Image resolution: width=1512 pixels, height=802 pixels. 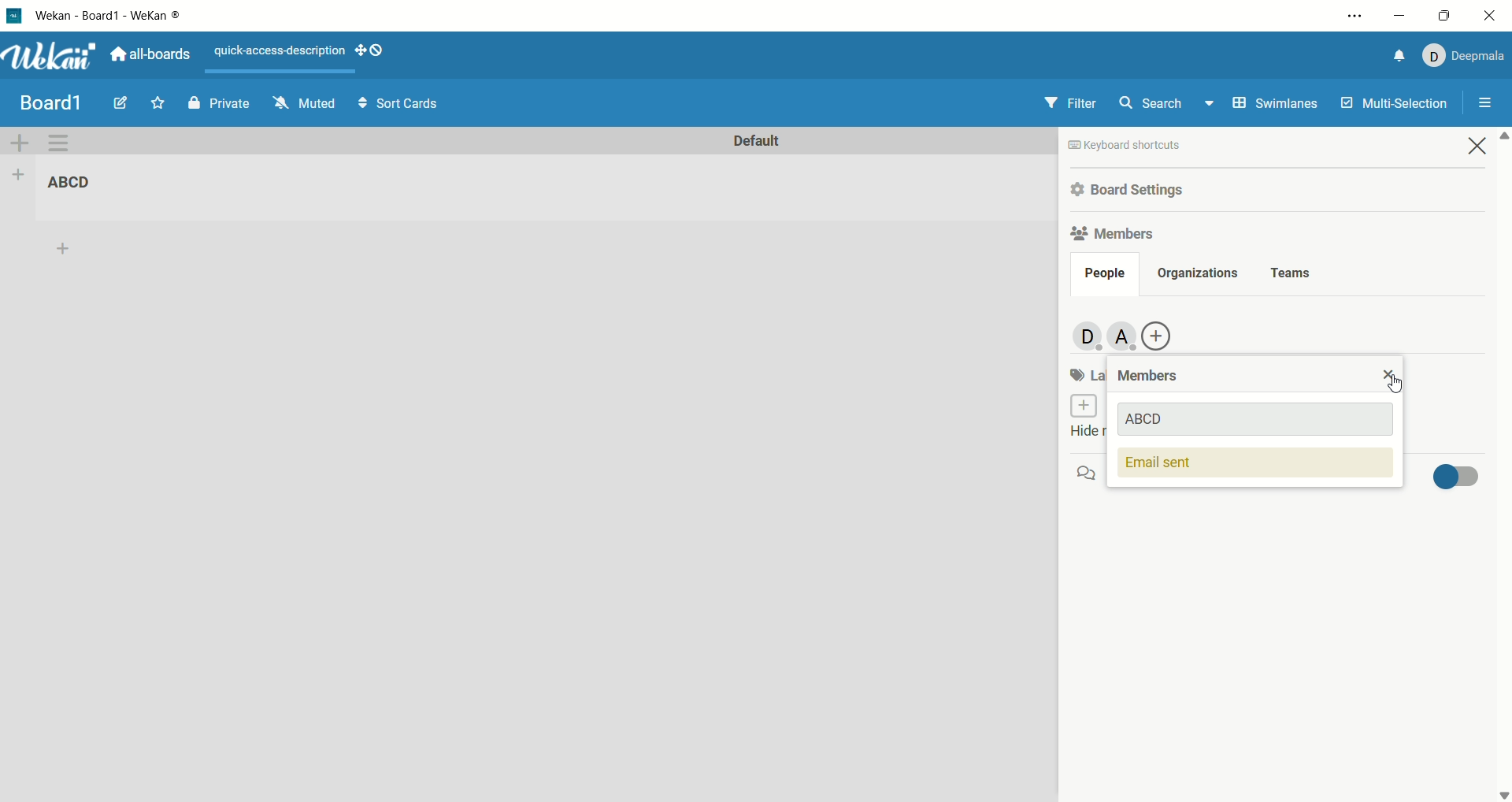 I want to click on all boards, so click(x=150, y=54).